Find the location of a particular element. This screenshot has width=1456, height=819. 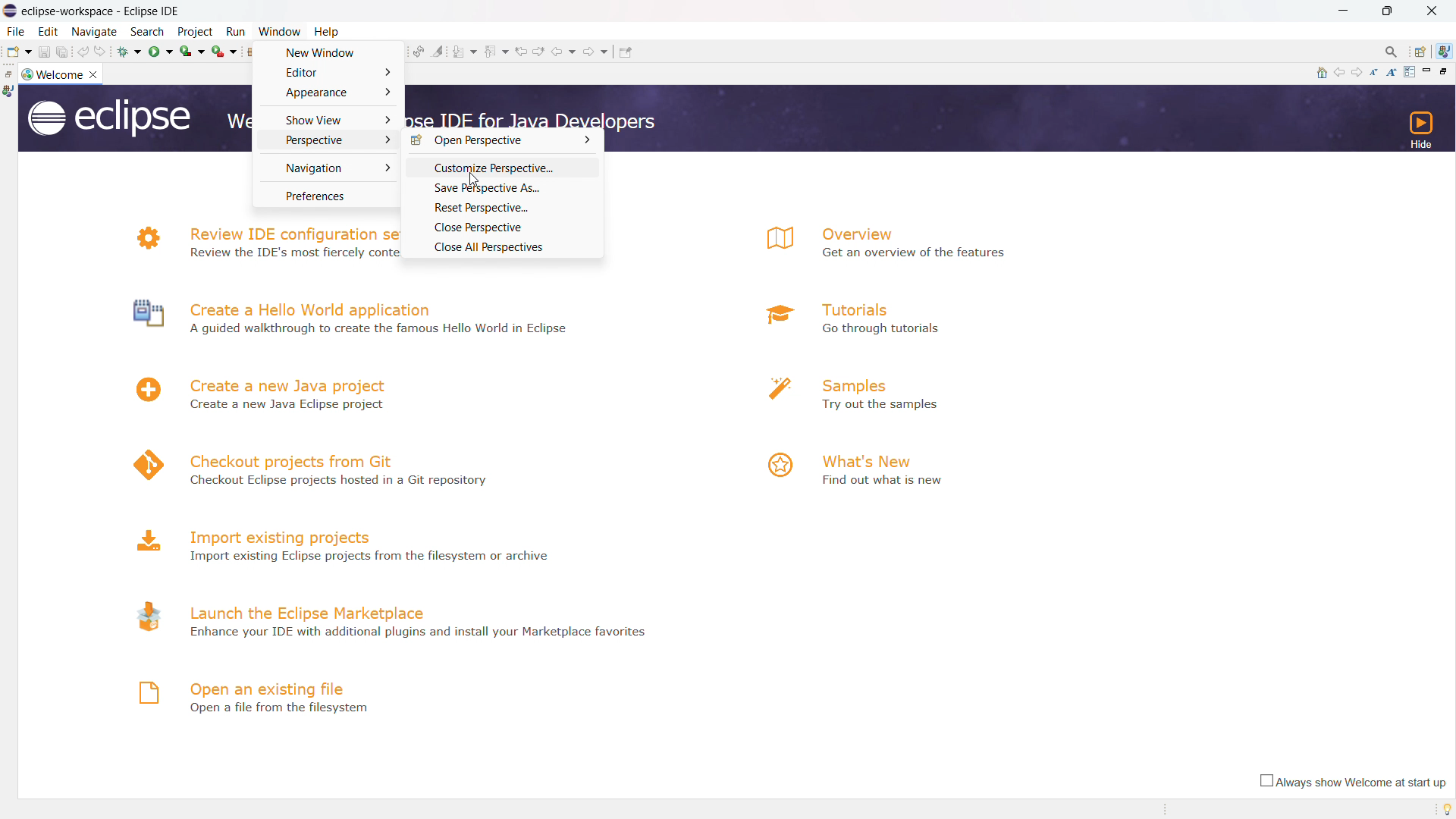

edit is located at coordinates (48, 31).